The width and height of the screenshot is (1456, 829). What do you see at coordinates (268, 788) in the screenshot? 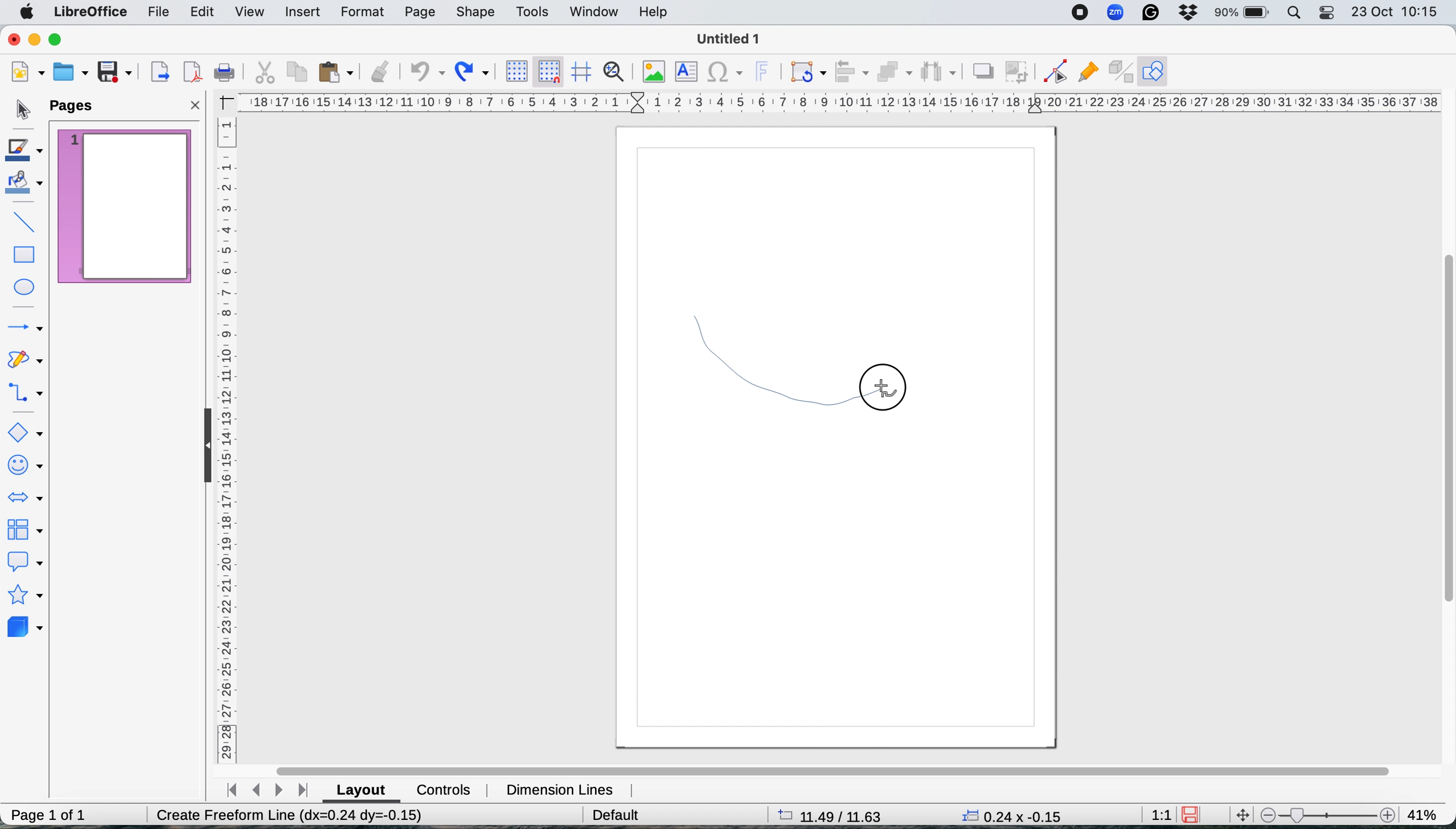
I see `switch between pages` at bounding box center [268, 788].